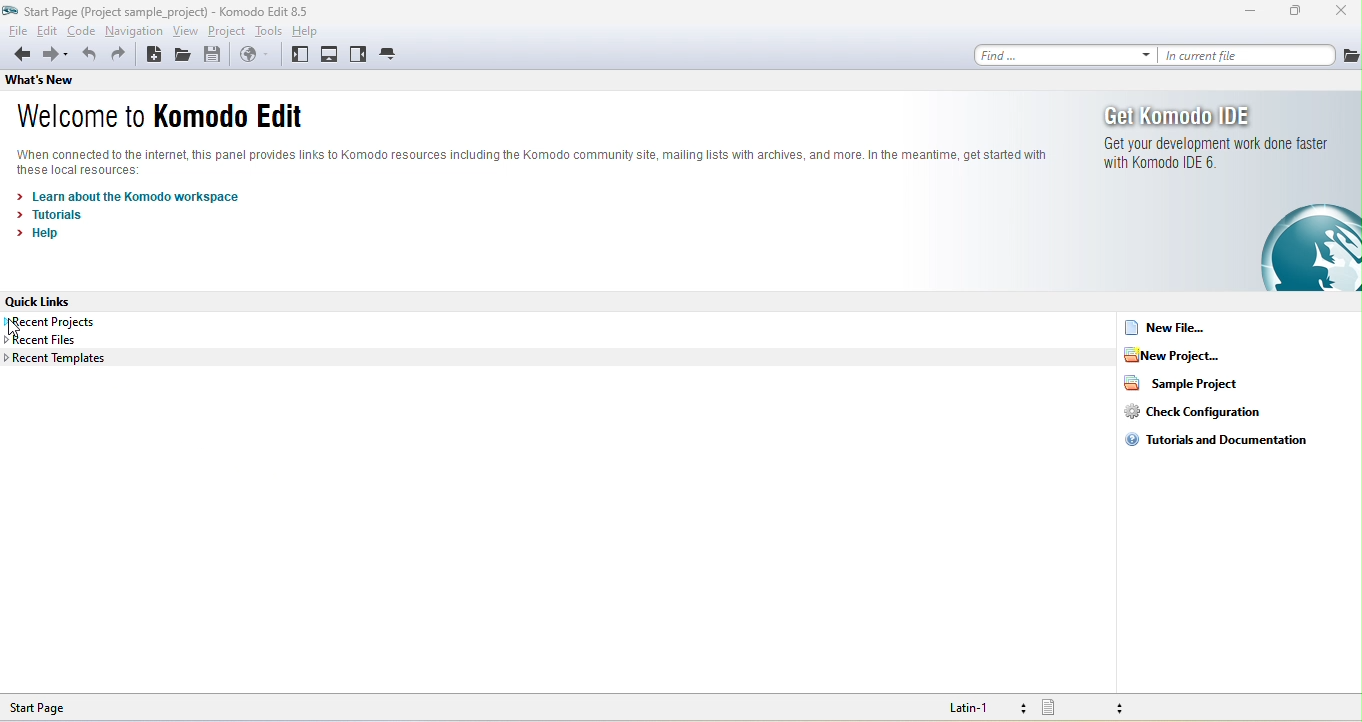 The image size is (1362, 722). Describe the element at coordinates (87, 30) in the screenshot. I see `code` at that location.